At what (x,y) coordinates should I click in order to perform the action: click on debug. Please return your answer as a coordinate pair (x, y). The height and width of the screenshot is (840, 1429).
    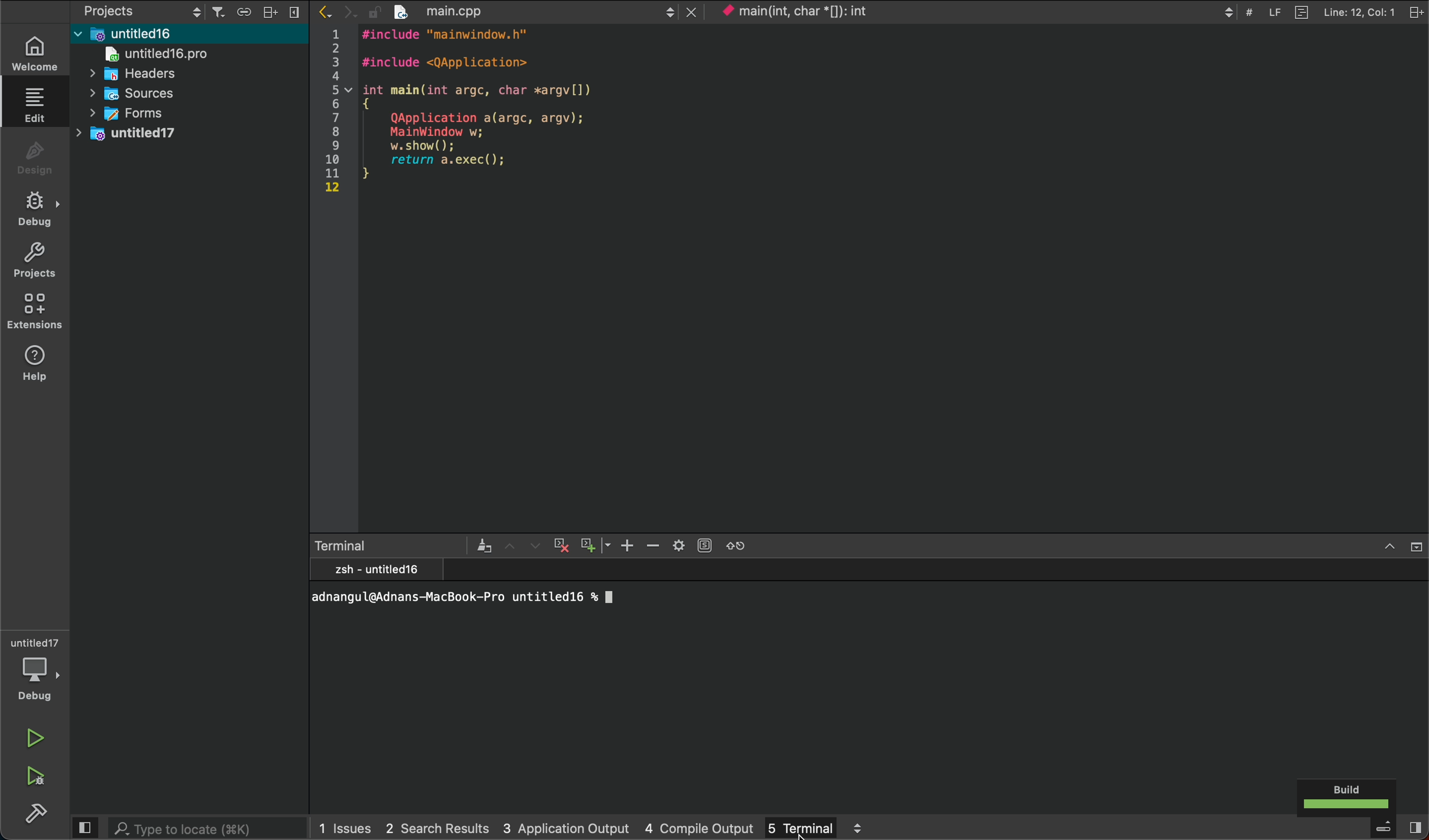
    Looking at the image, I should click on (33, 207).